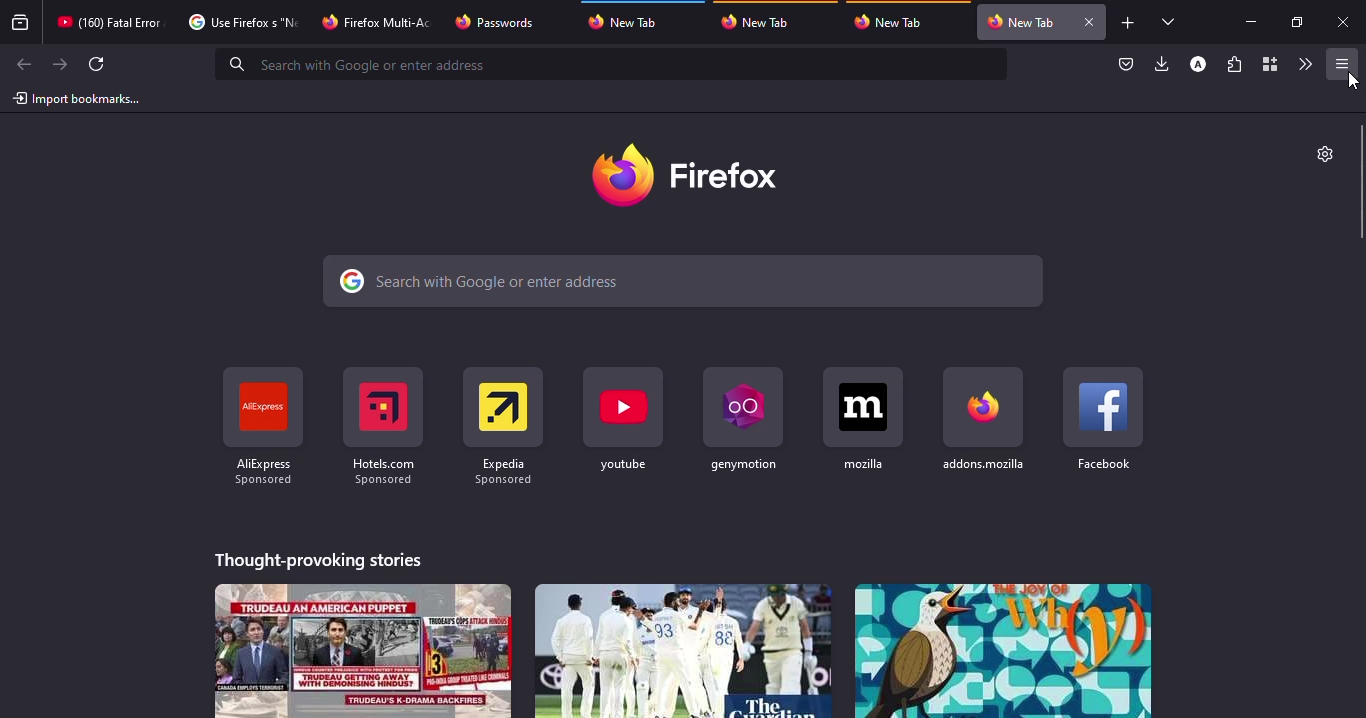 This screenshot has width=1366, height=718. What do you see at coordinates (1353, 80) in the screenshot?
I see `cursor` at bounding box center [1353, 80].